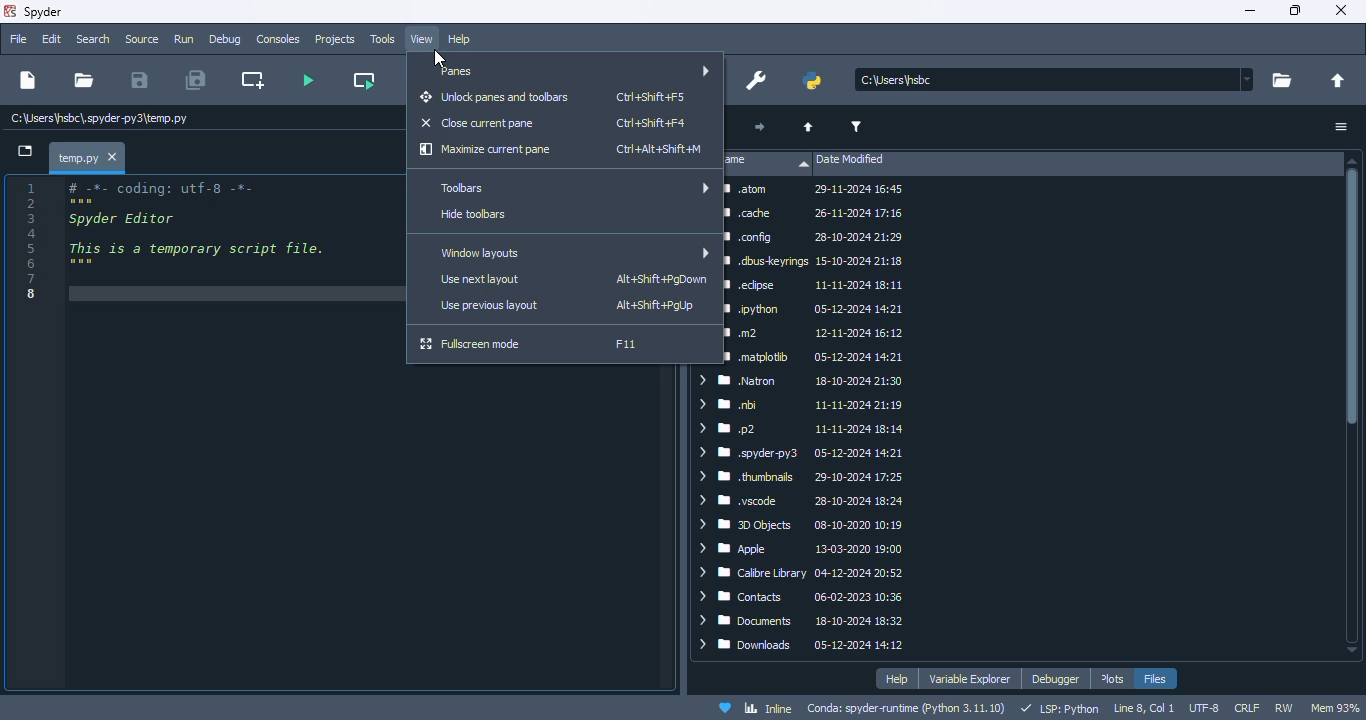 The height and width of the screenshot is (720, 1366). I want to click on close, so click(1340, 10).